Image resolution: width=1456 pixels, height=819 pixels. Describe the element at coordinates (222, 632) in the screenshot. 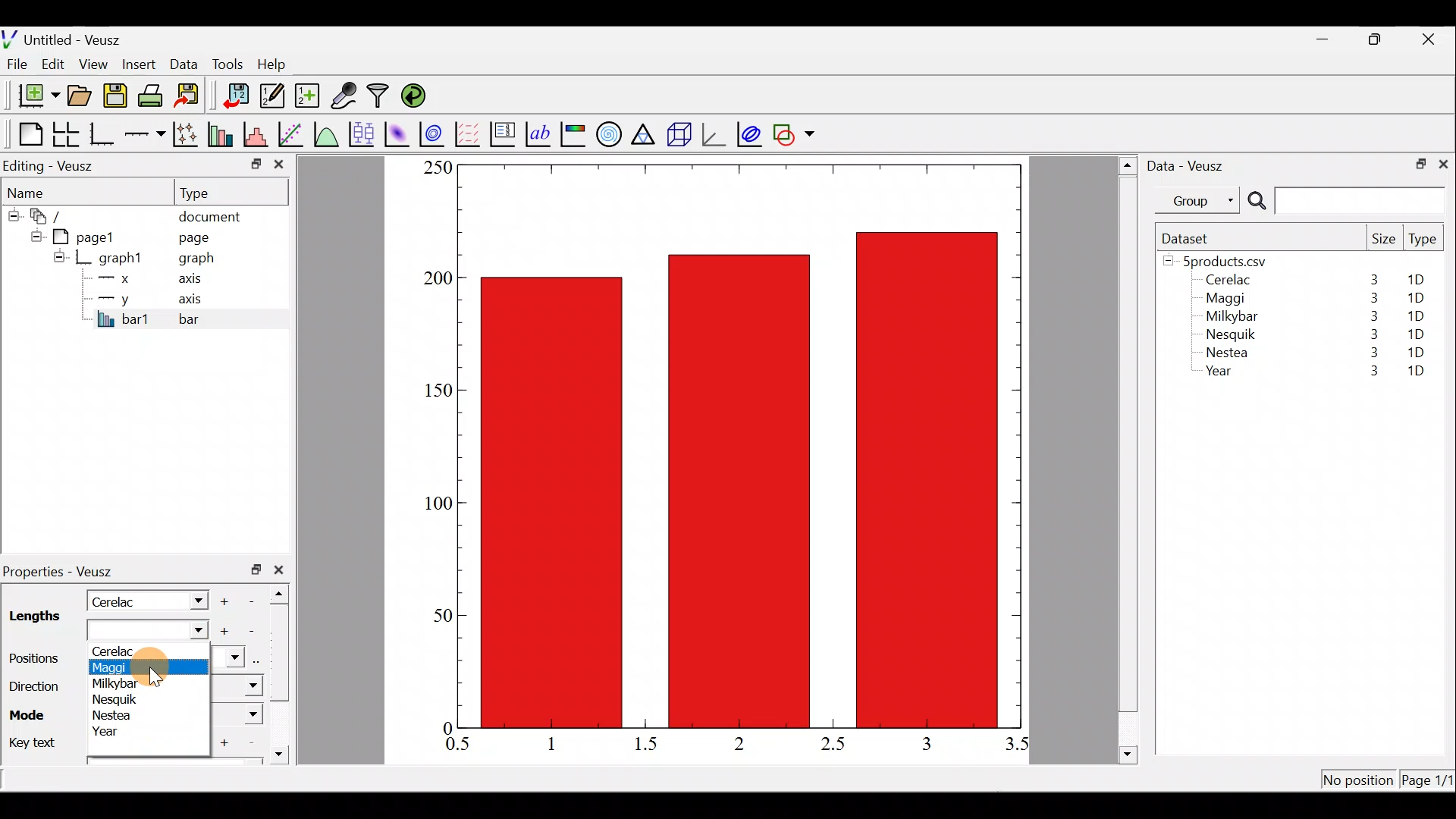

I see `Add another item` at that location.